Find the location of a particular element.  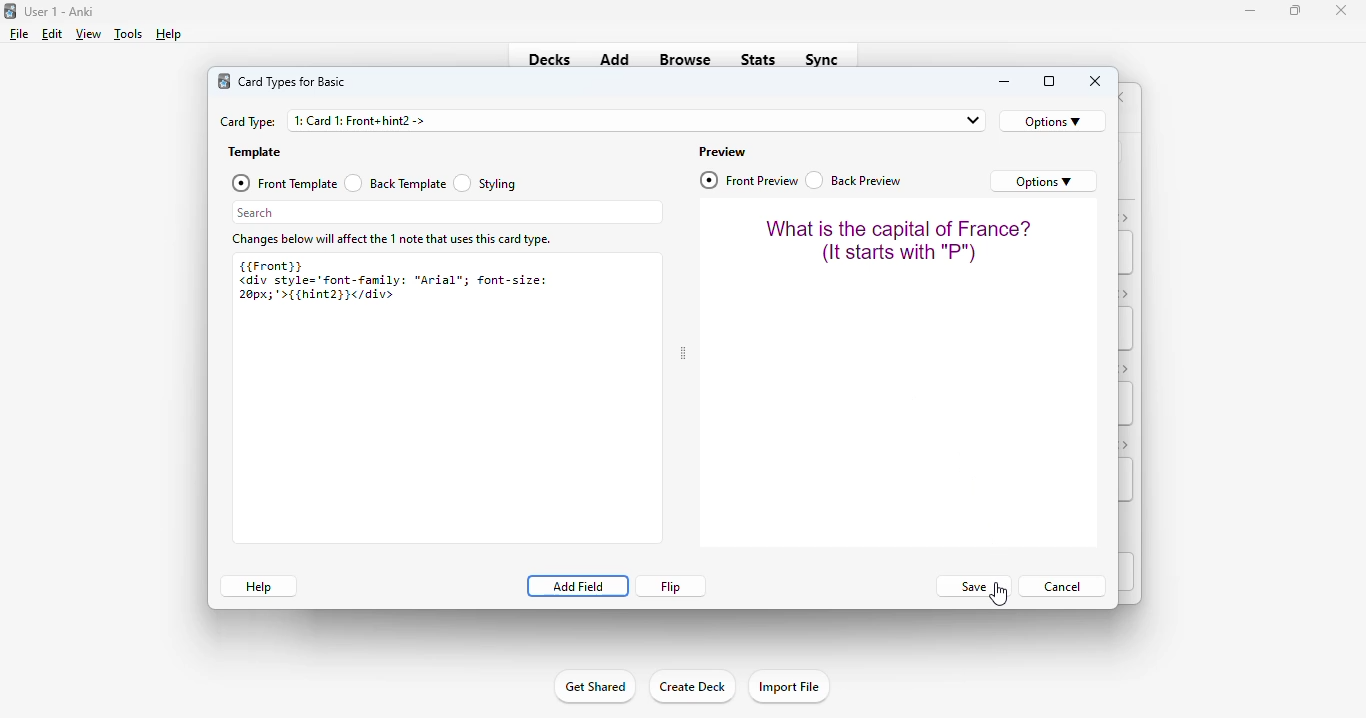

back preview is located at coordinates (855, 180).